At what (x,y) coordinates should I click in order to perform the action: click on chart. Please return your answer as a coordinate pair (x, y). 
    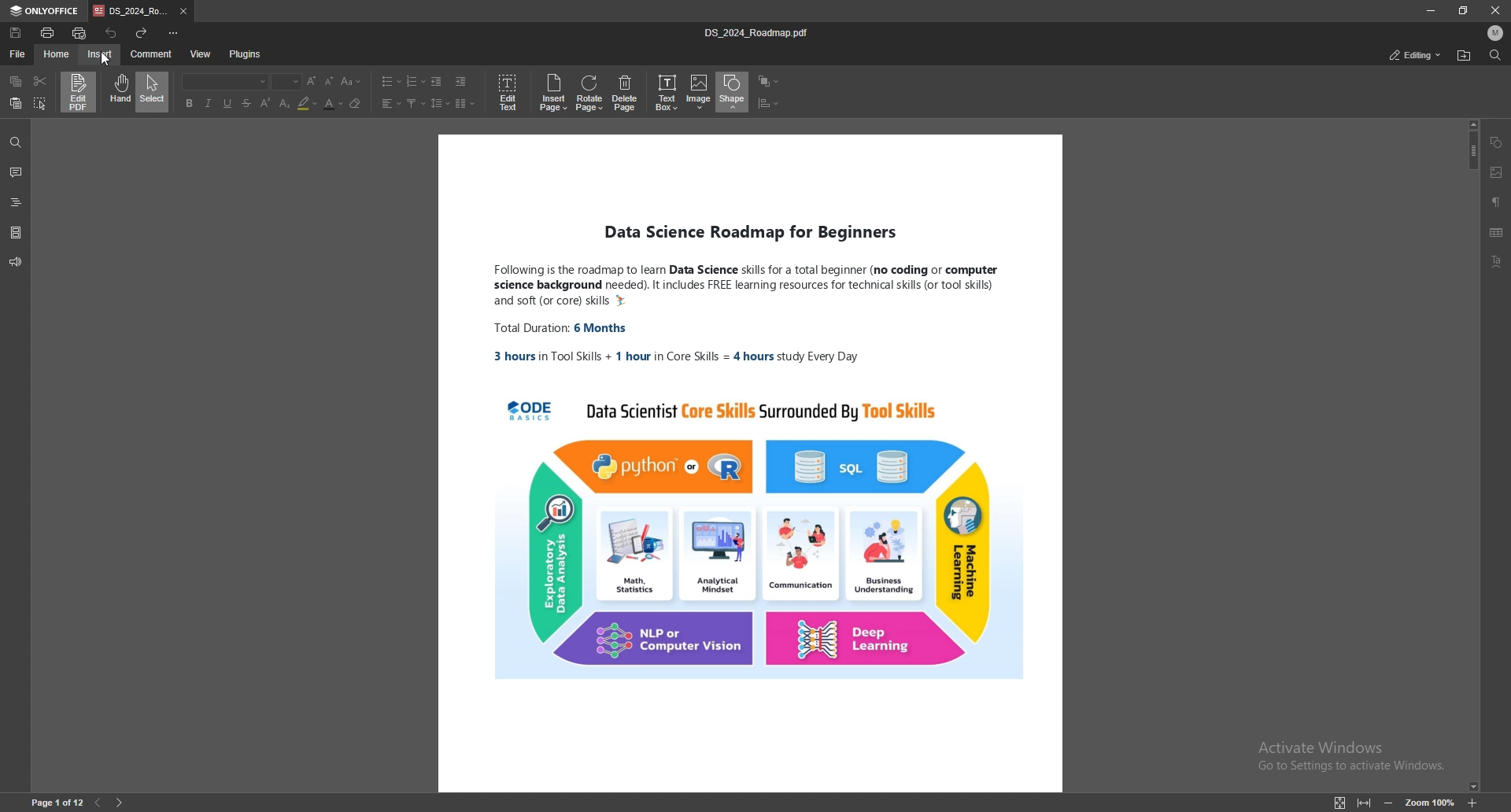
    Looking at the image, I should click on (769, 103).